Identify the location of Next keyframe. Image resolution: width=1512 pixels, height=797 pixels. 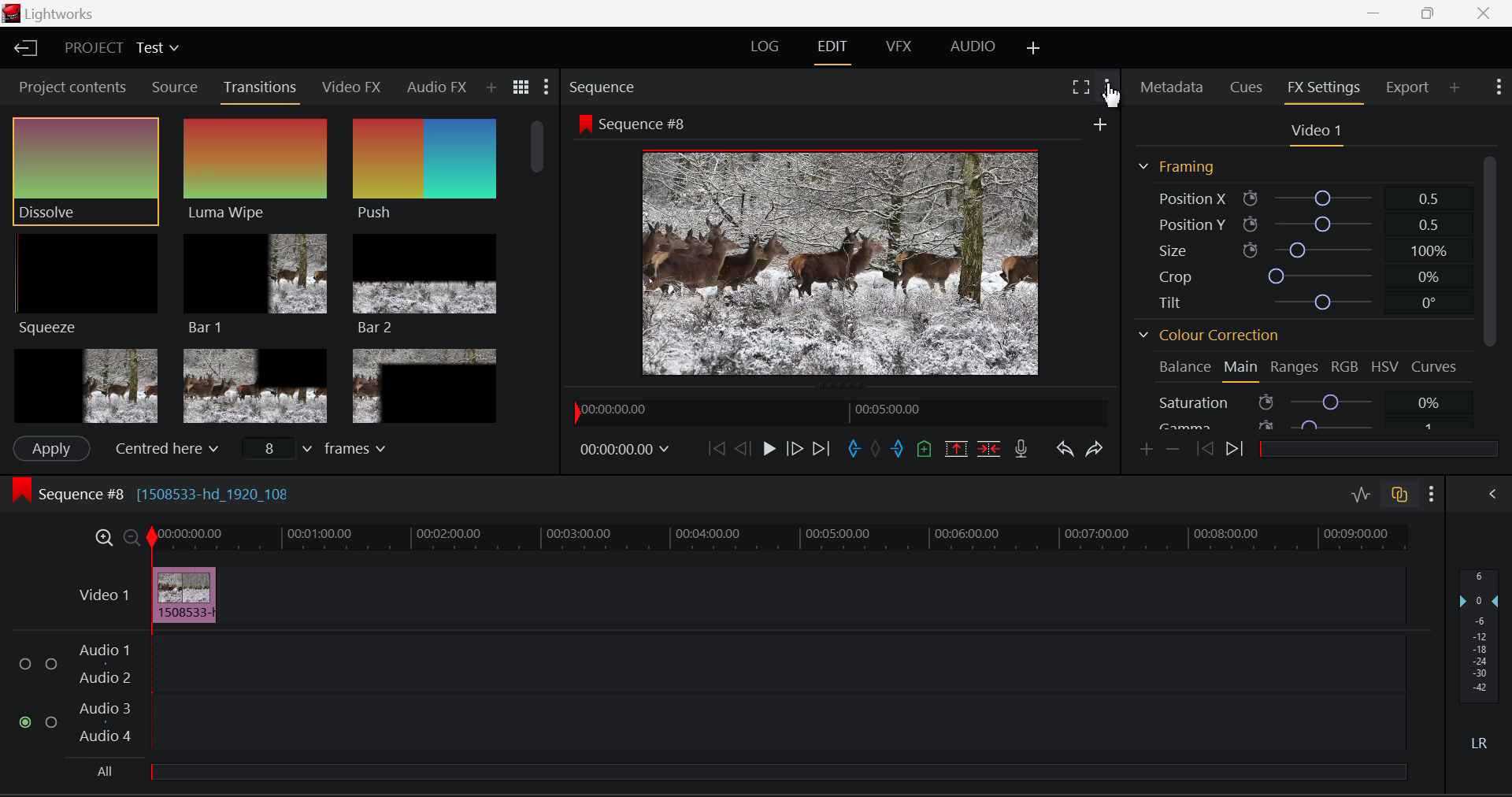
(1240, 452).